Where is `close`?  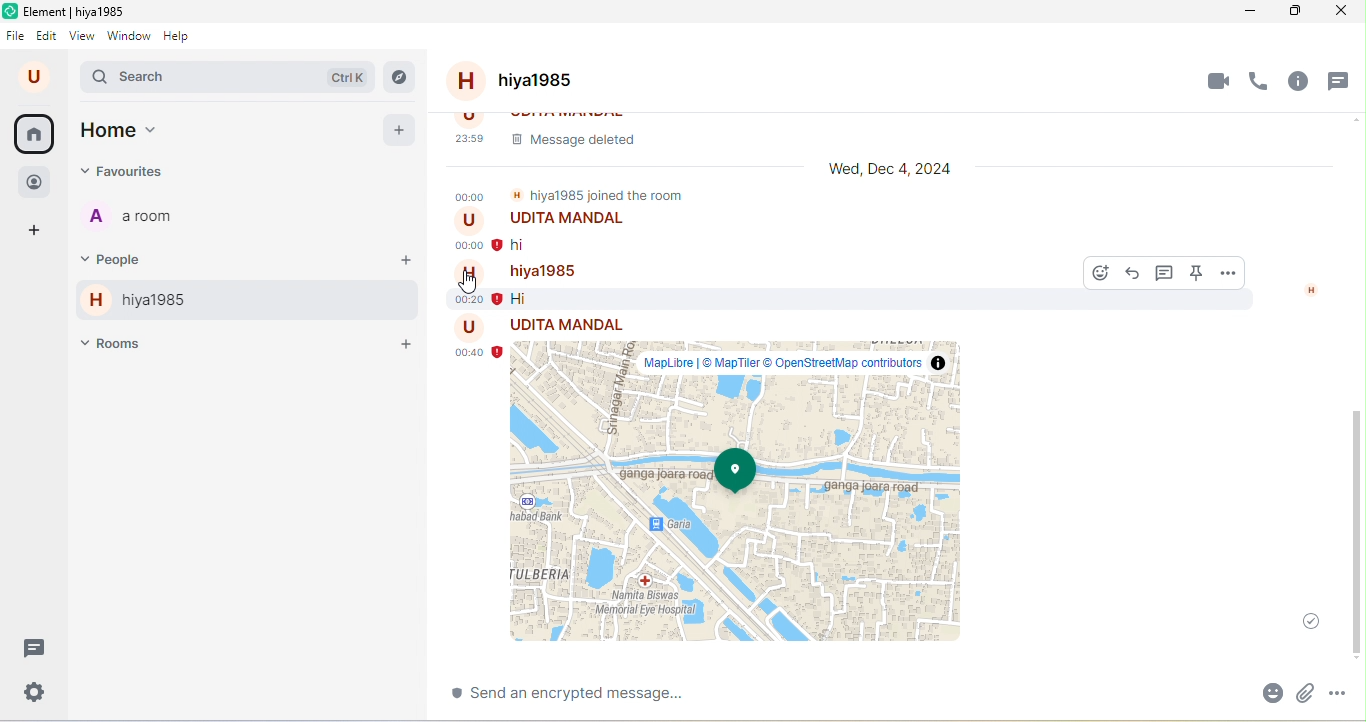
close is located at coordinates (1345, 15).